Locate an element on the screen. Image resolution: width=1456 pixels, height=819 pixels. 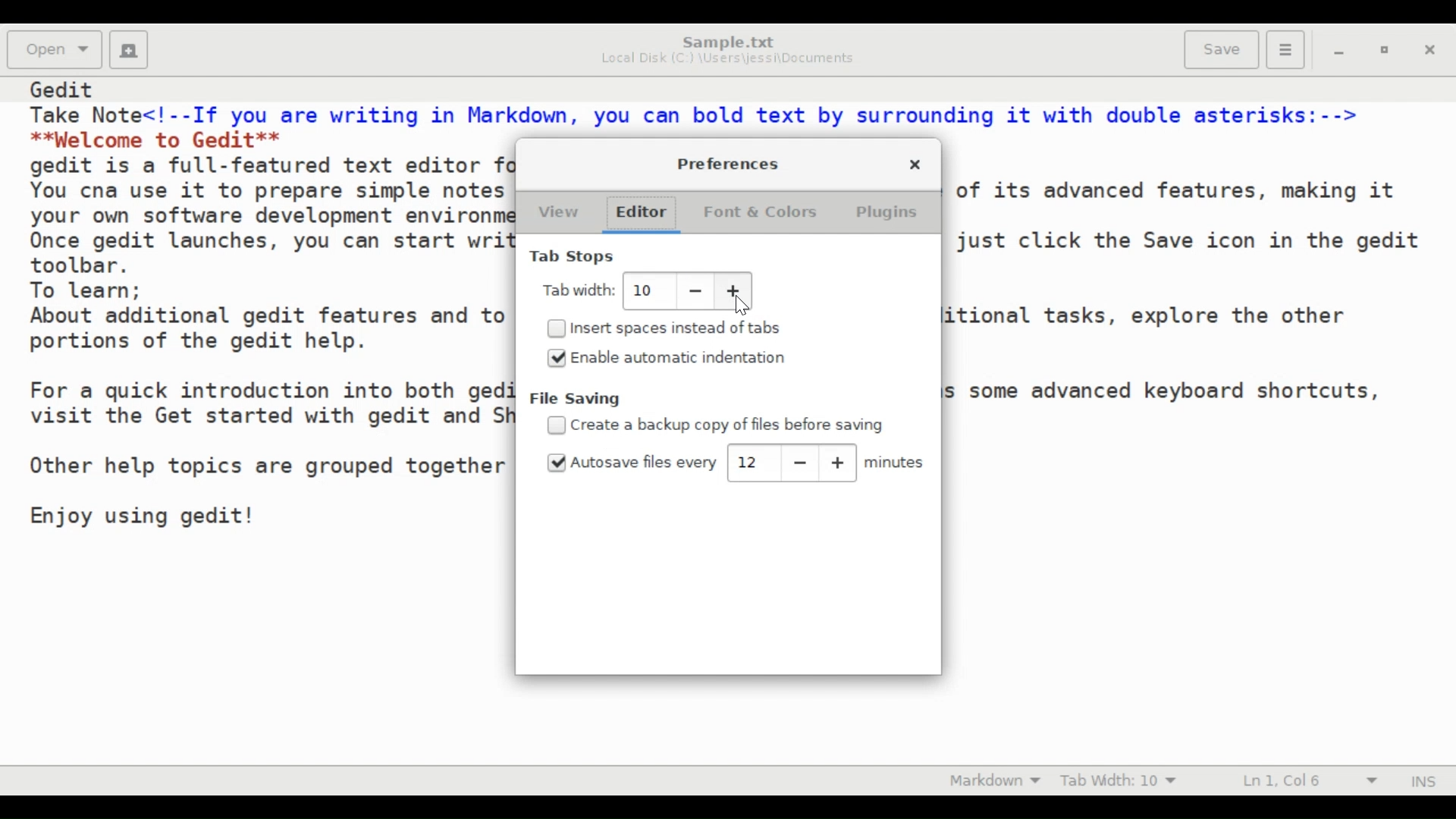
Close is located at coordinates (1432, 52).